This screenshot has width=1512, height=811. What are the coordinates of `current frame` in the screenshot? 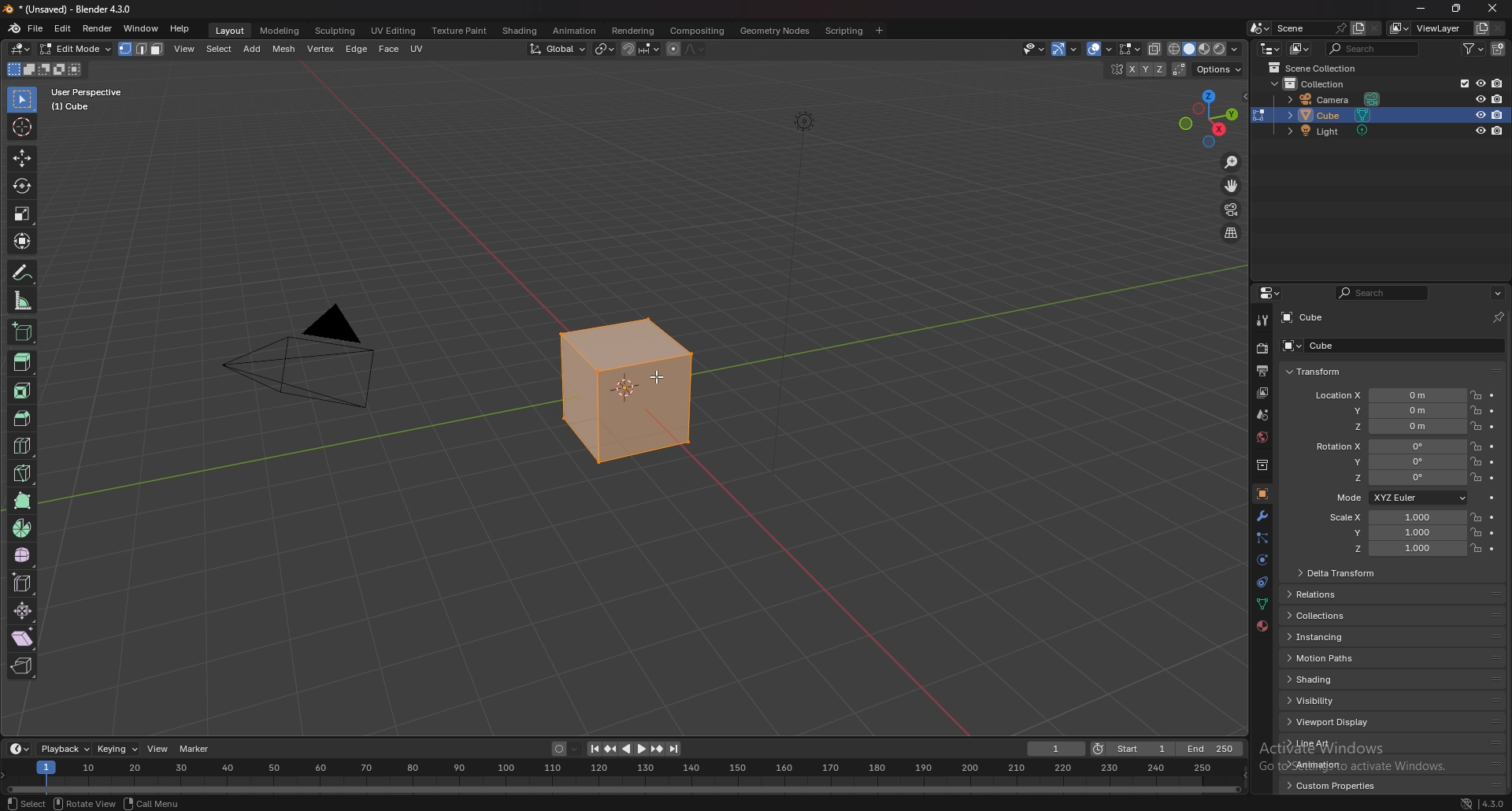 It's located at (1054, 749).